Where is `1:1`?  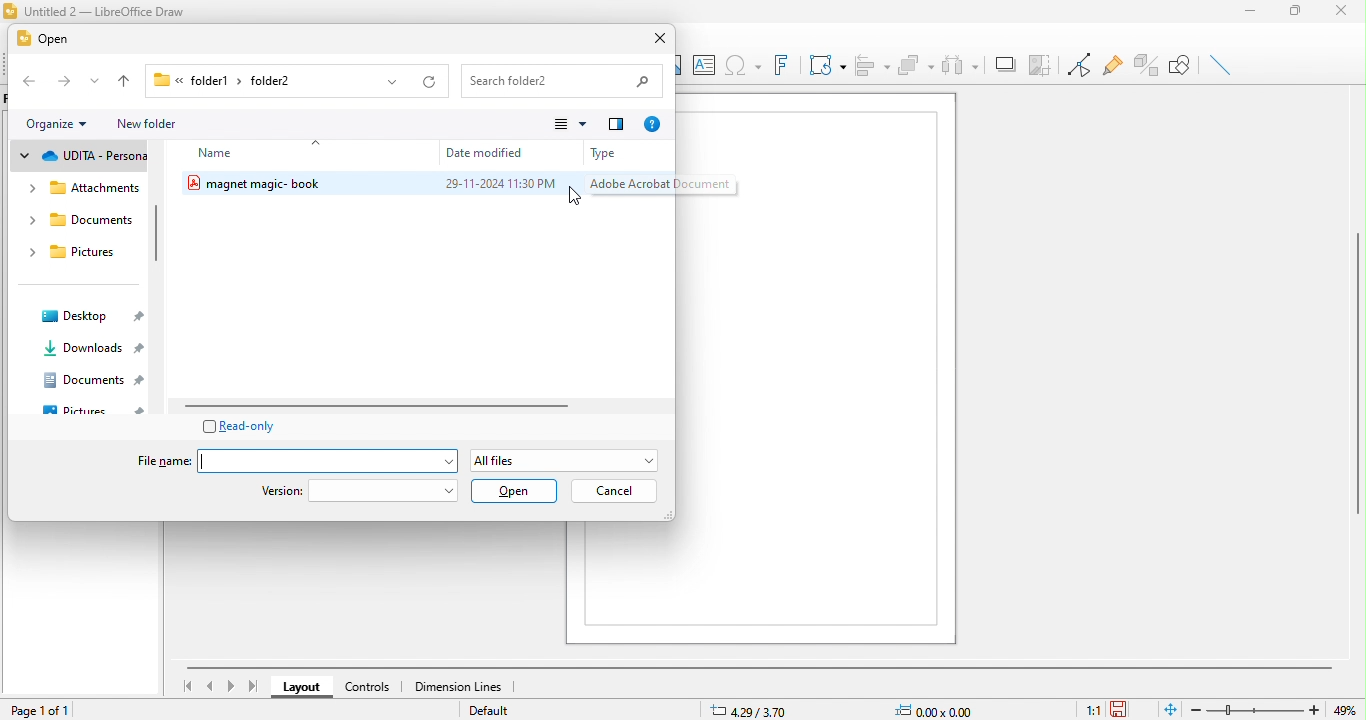 1:1 is located at coordinates (1089, 708).